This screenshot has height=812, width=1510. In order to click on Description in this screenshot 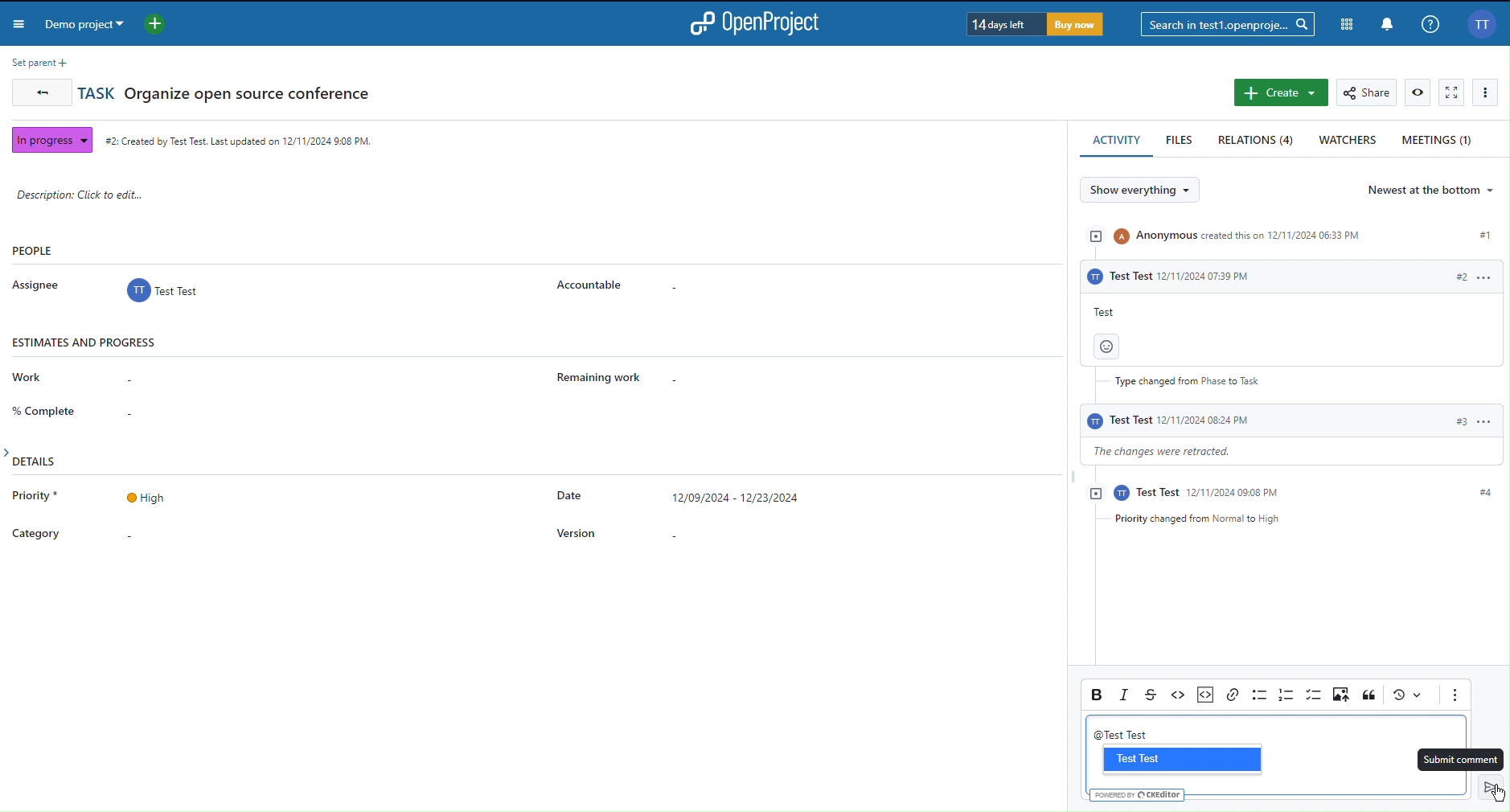, I will do `click(96, 195)`.